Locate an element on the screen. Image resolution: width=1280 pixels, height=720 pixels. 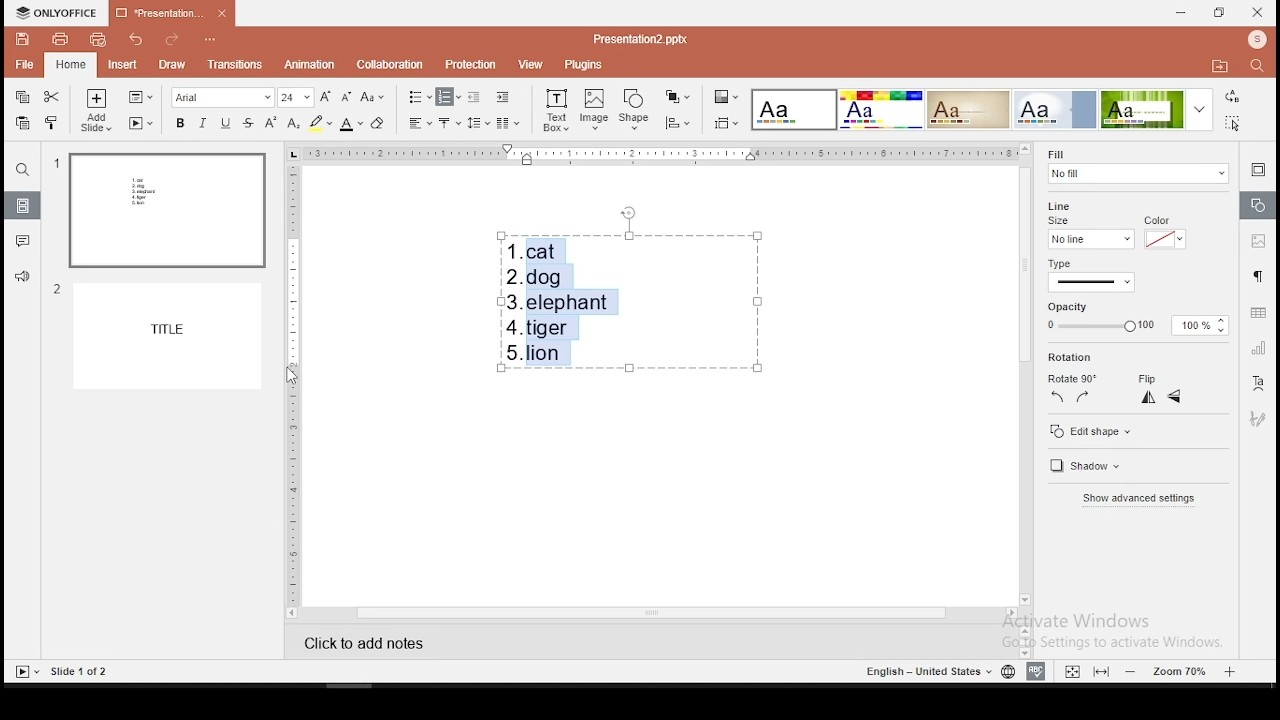
flip is located at coordinates (1144, 379).